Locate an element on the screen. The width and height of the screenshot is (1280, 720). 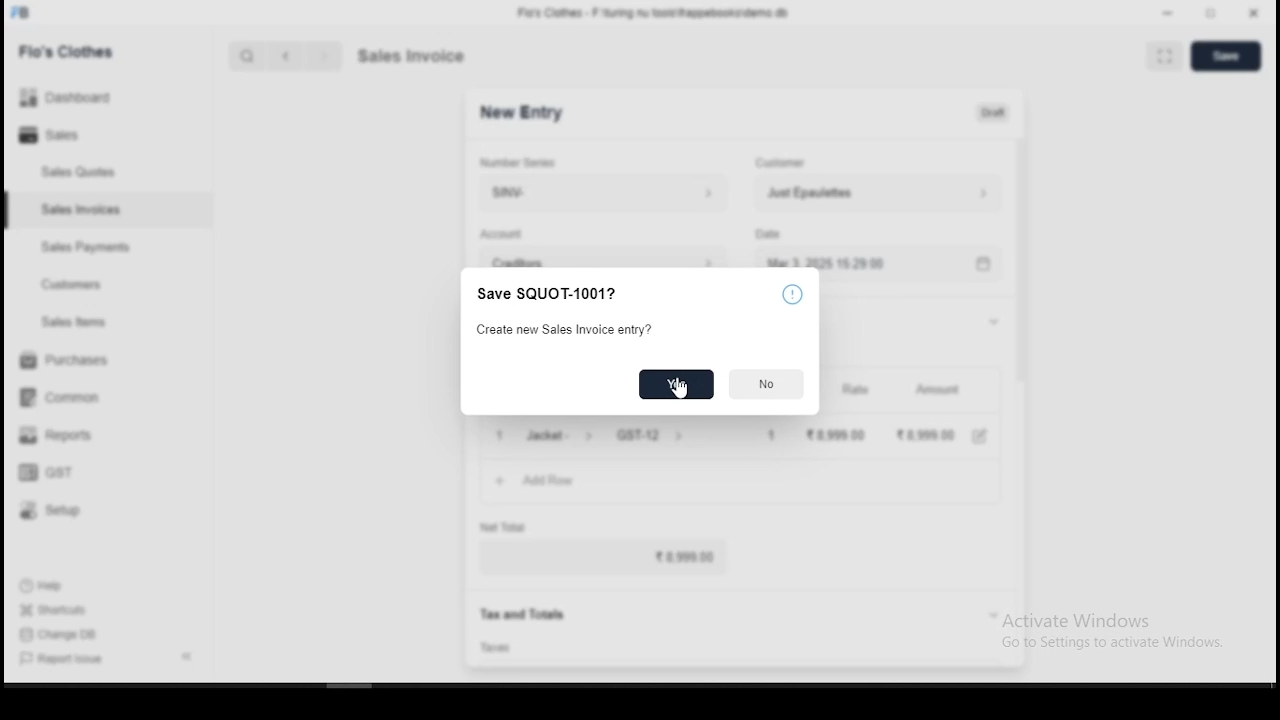
GST-12 > is located at coordinates (653, 435).